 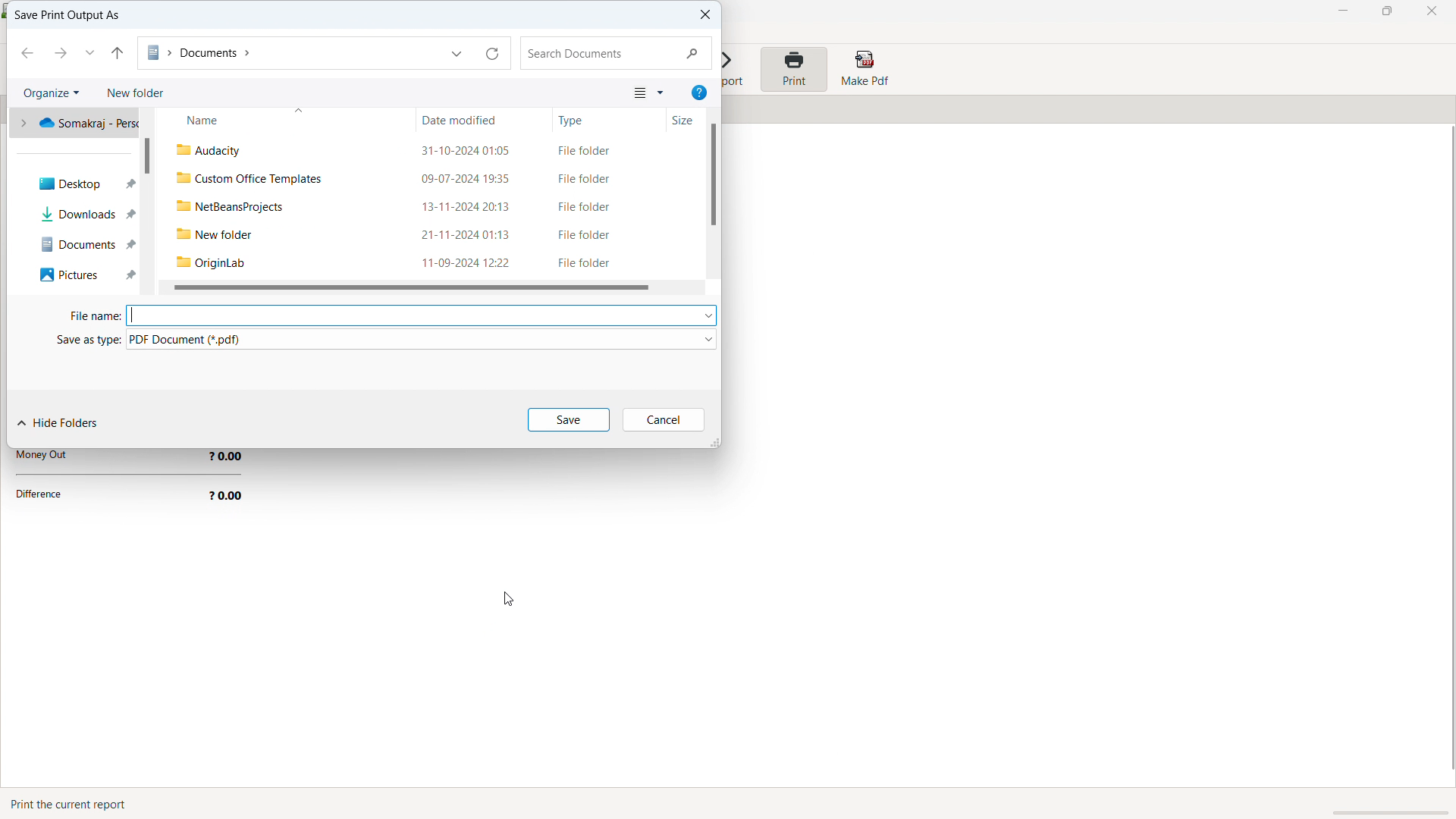 What do you see at coordinates (485, 120) in the screenshot?
I see `date modified` at bounding box center [485, 120].